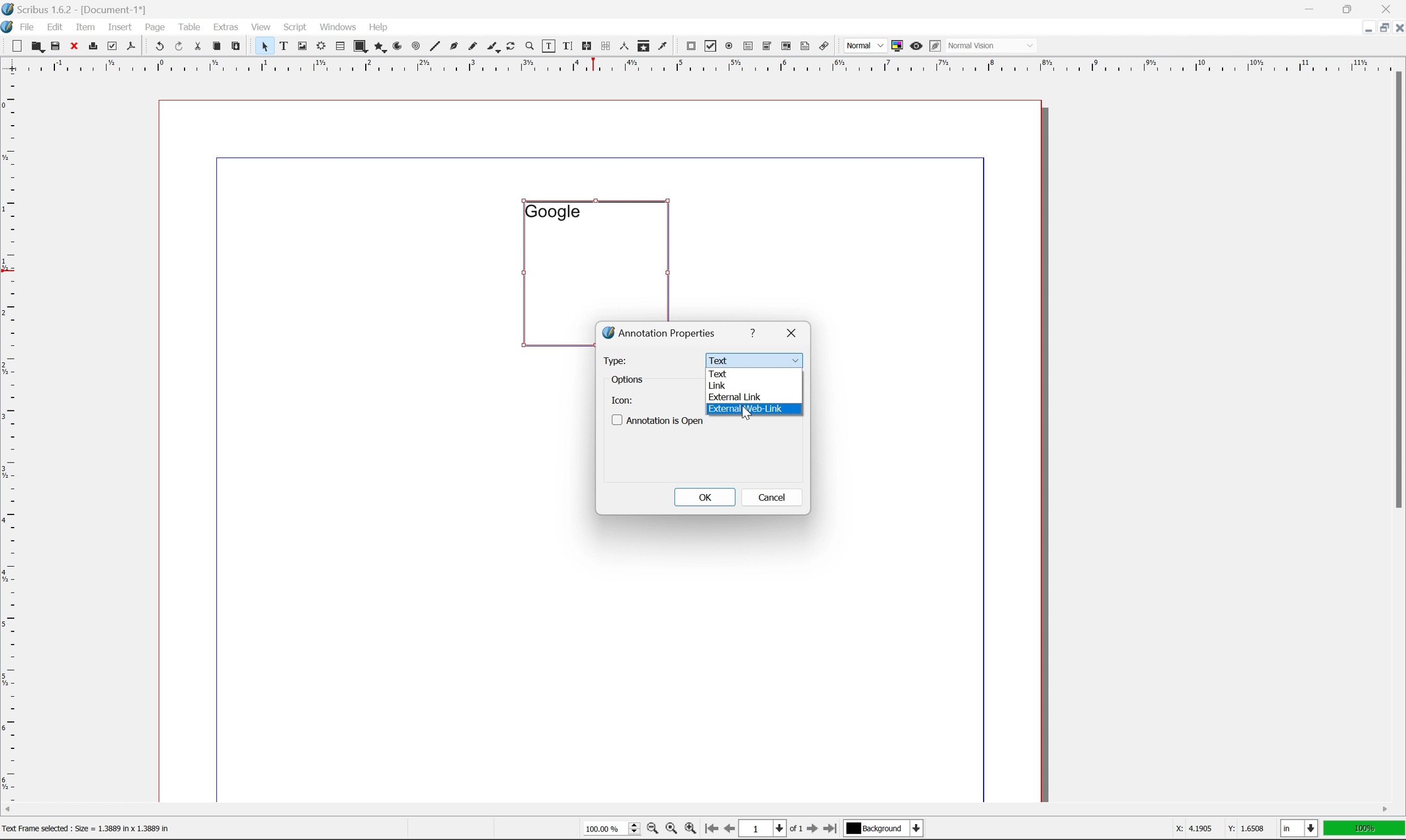 The image size is (1406, 840). I want to click on pdf checkbox, so click(708, 47).